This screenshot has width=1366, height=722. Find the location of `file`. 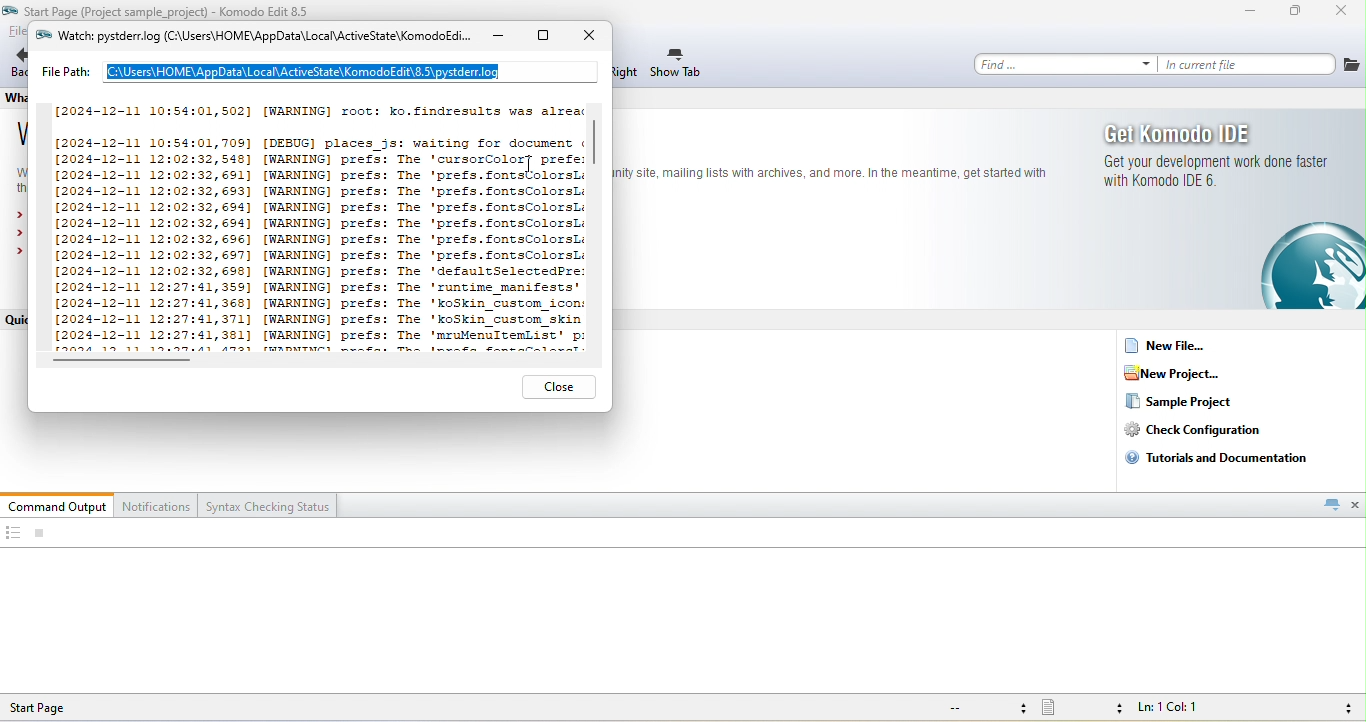

file is located at coordinates (1352, 64).